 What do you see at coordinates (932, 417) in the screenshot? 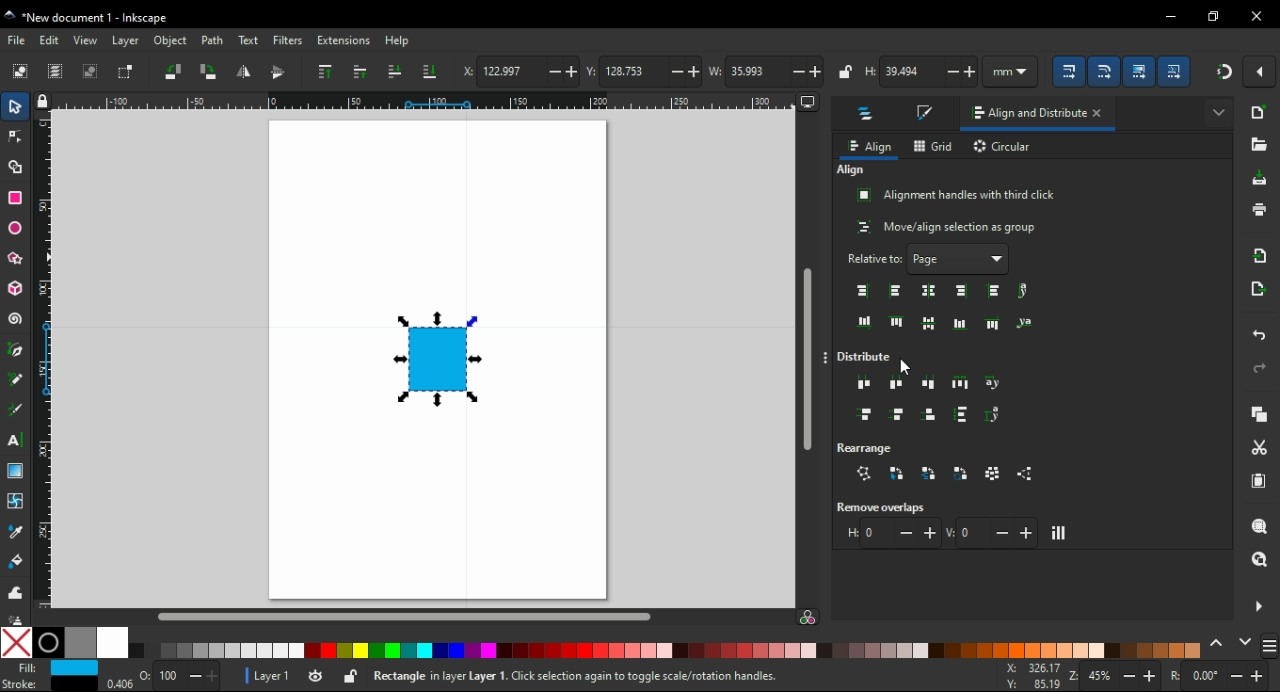
I see `distribute vertically with even spacing between bottom edges` at bounding box center [932, 417].